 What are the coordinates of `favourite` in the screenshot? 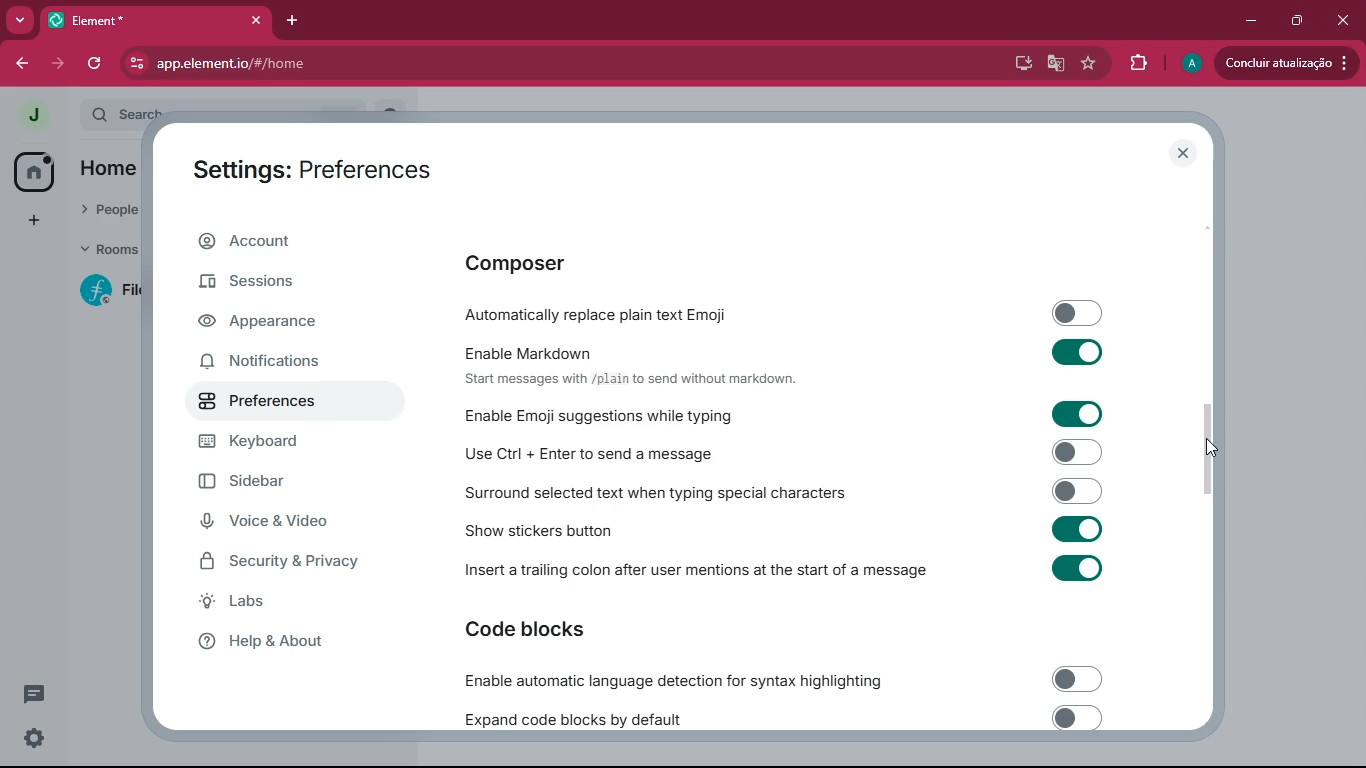 It's located at (1093, 66).